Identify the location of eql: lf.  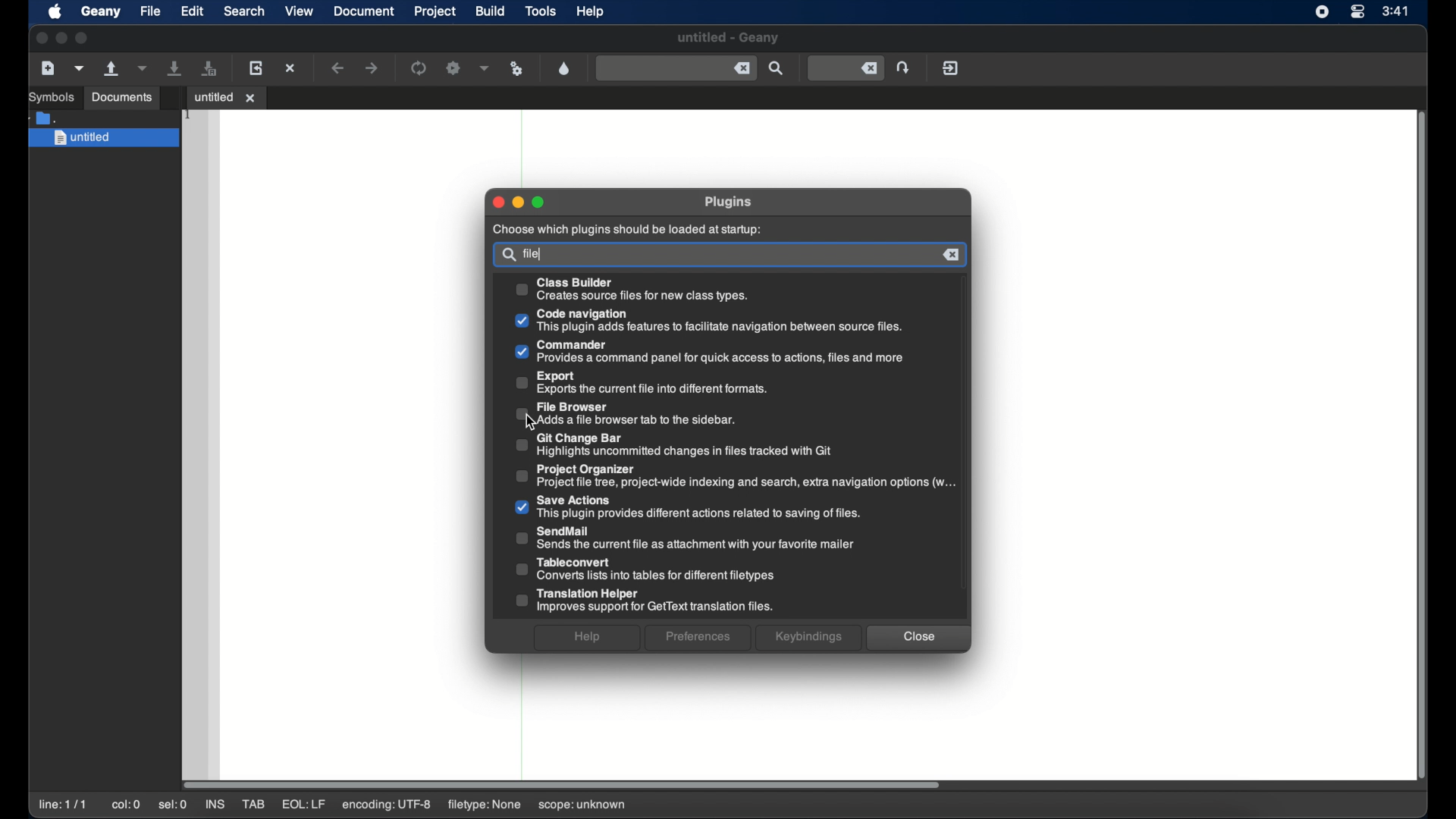
(303, 804).